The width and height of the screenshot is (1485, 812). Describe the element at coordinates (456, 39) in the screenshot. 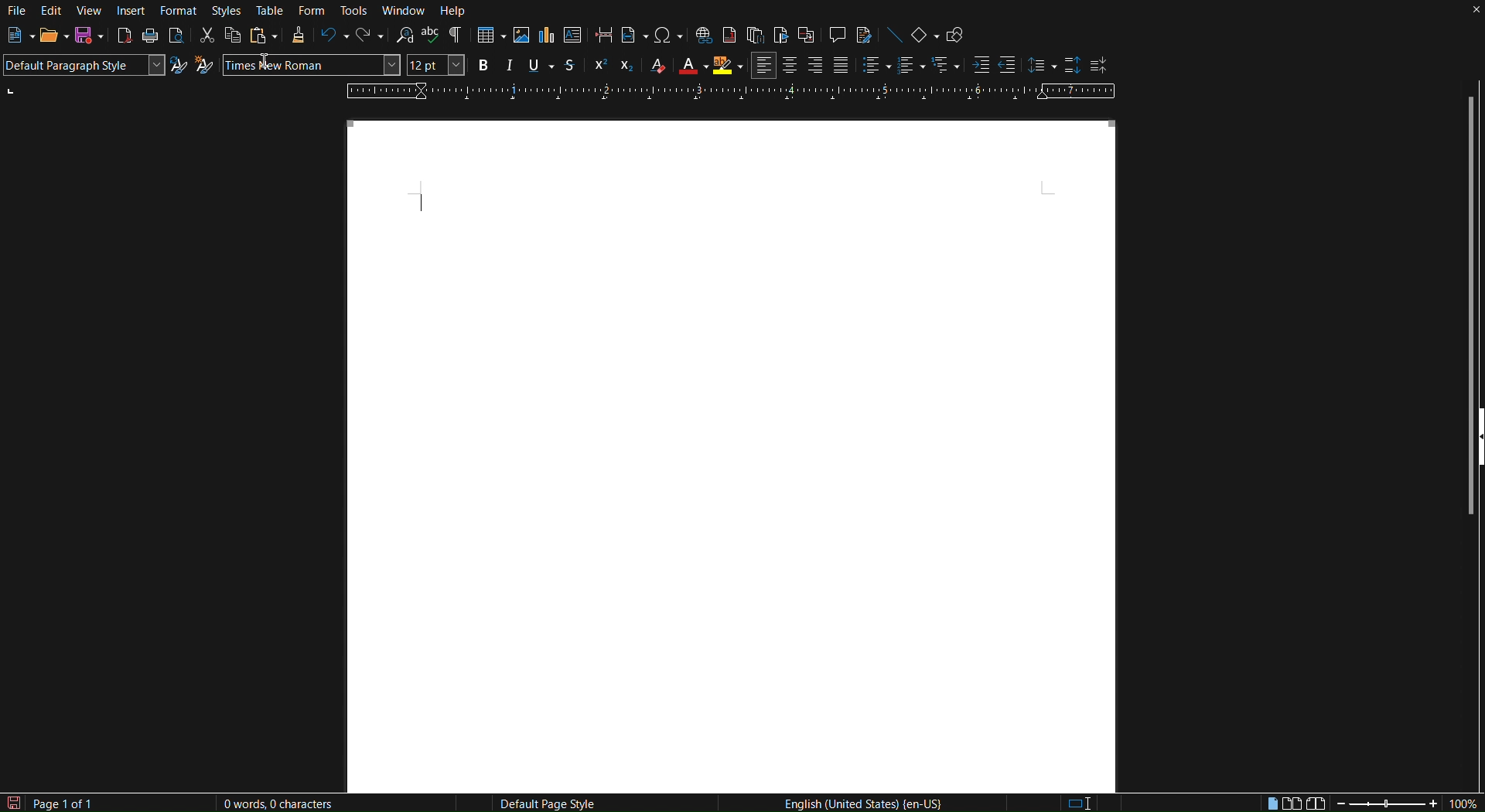

I see `Toggle Formatting Marks` at that location.